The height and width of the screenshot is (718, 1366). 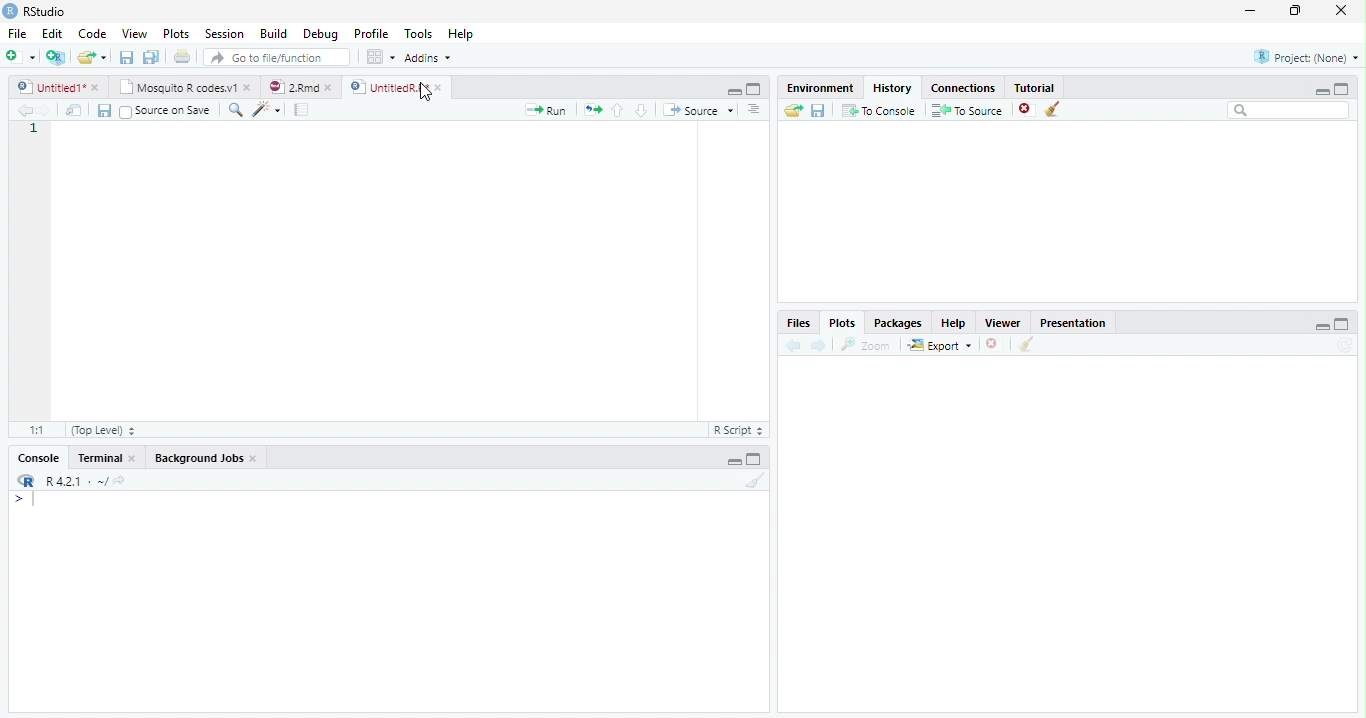 What do you see at coordinates (56, 57) in the screenshot?
I see `Create a Project` at bounding box center [56, 57].